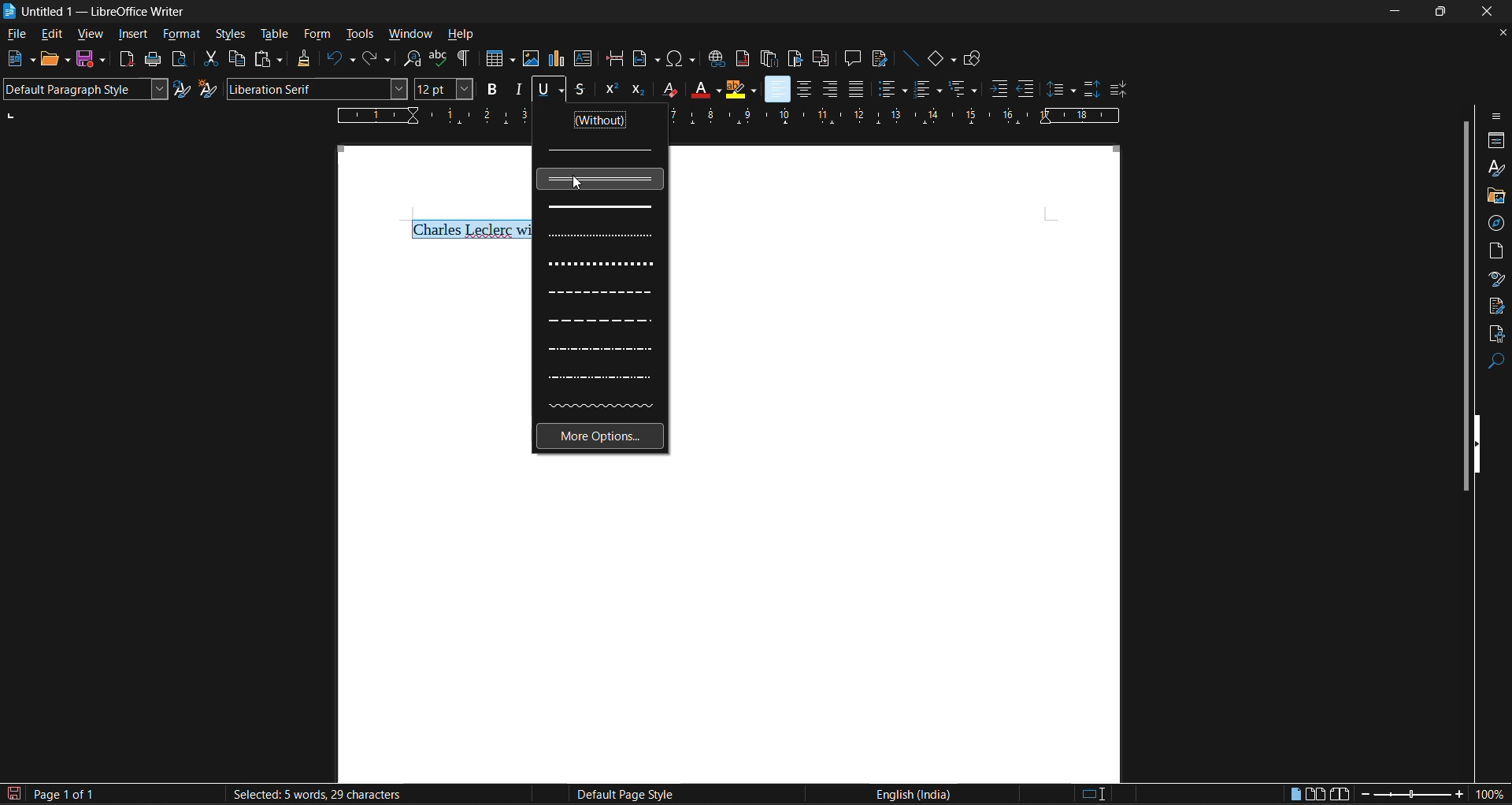  What do you see at coordinates (98, 11) in the screenshot?
I see `app and document name` at bounding box center [98, 11].